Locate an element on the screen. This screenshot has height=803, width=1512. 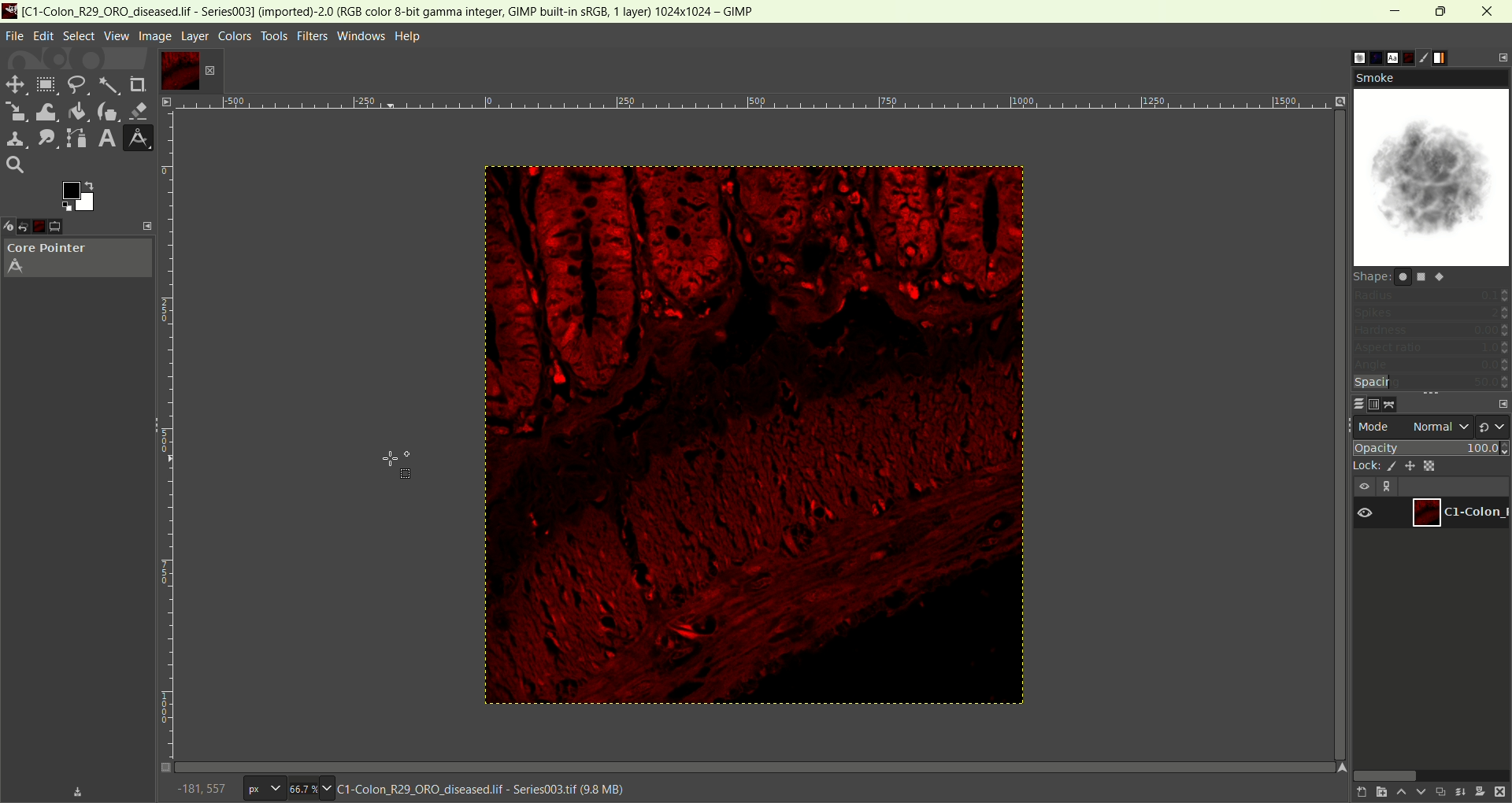
lock pixel is located at coordinates (1388, 467).